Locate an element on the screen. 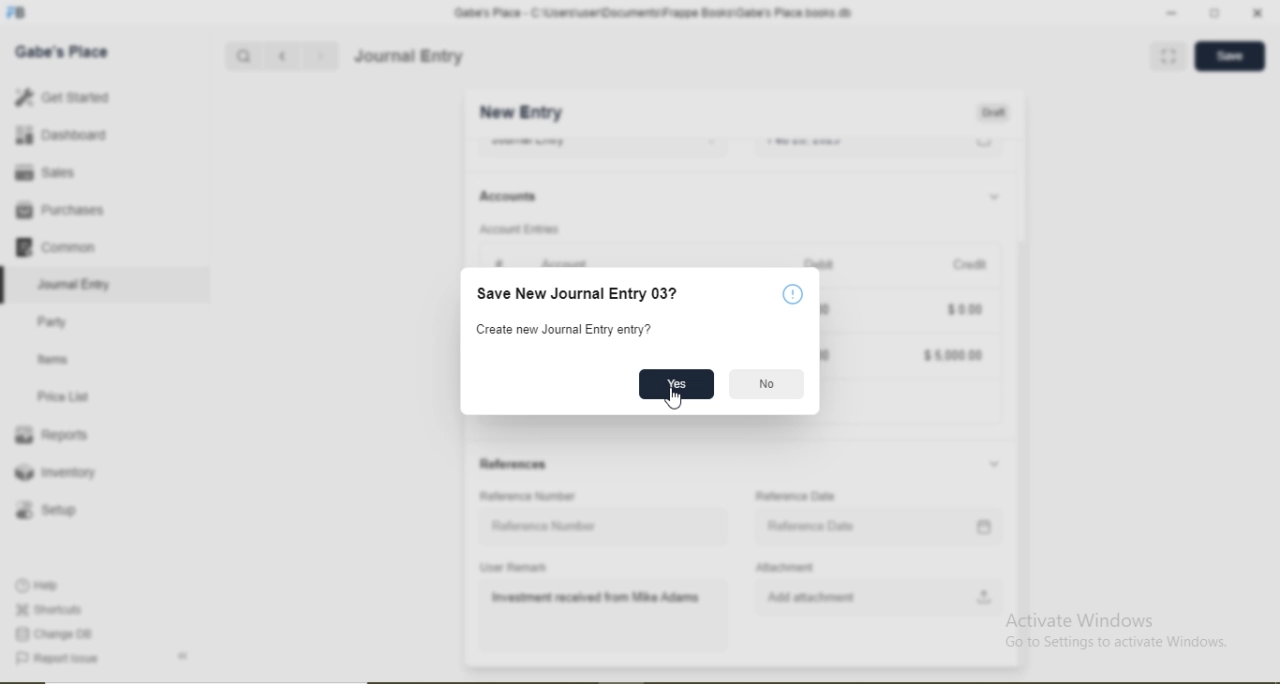 The height and width of the screenshot is (684, 1280). Full screen is located at coordinates (1169, 55).